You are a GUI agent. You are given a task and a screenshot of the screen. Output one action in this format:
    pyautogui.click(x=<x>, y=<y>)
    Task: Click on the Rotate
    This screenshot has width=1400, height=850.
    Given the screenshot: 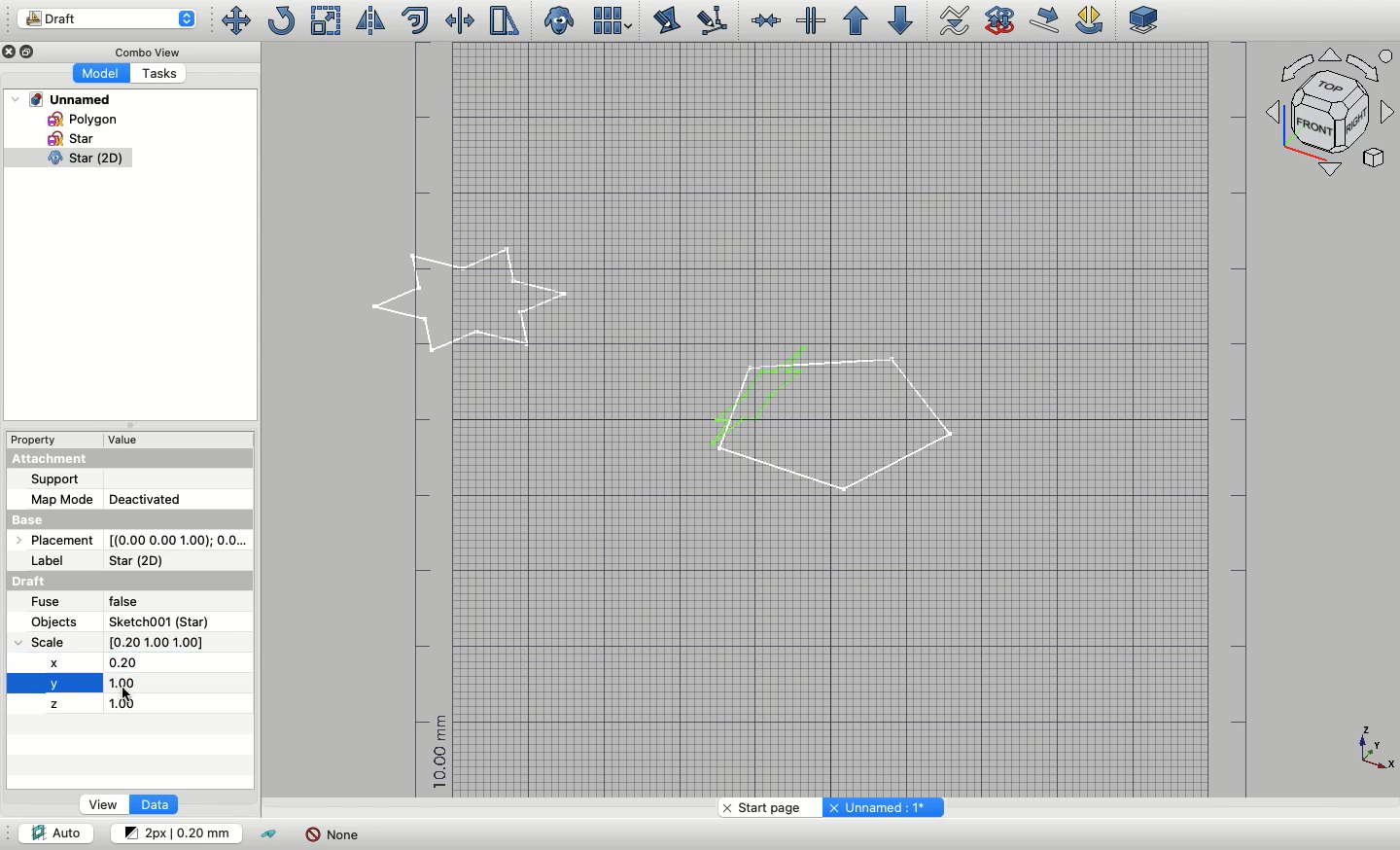 What is the action you would take?
    pyautogui.click(x=280, y=20)
    